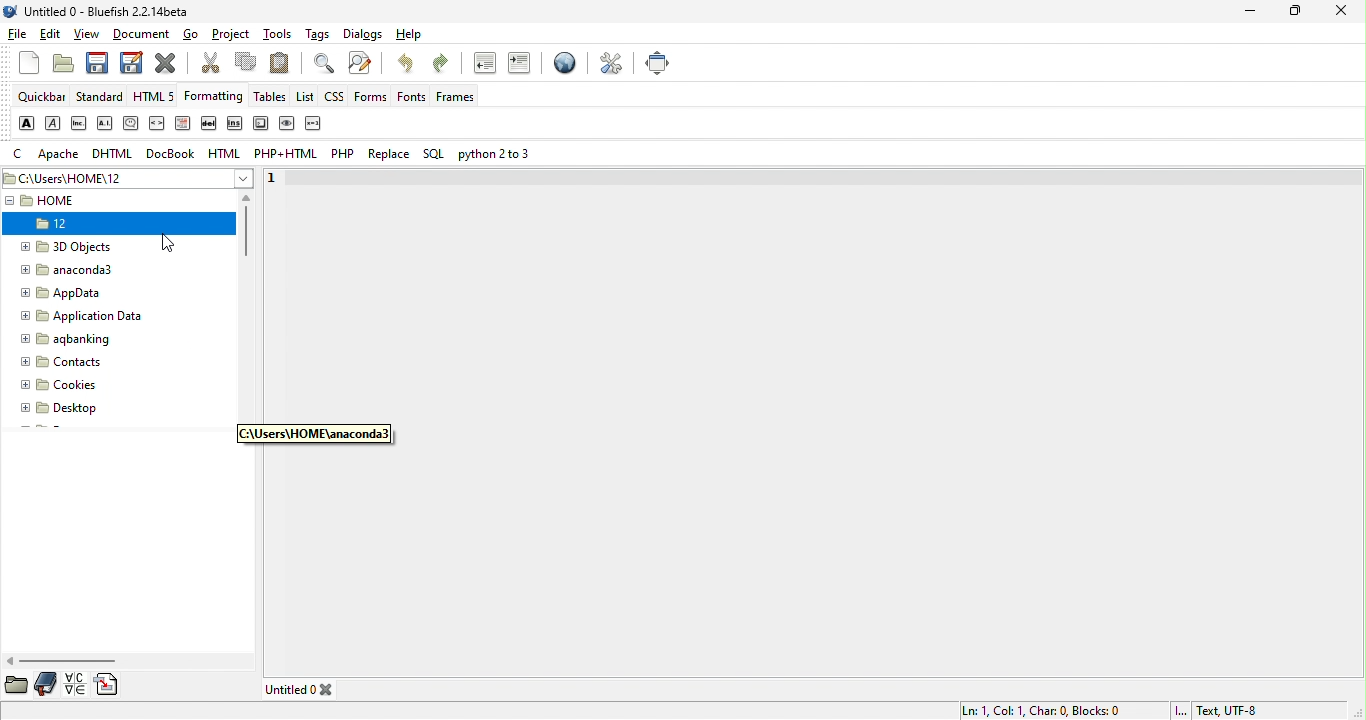 The height and width of the screenshot is (720, 1366). Describe the element at coordinates (344, 155) in the screenshot. I see `php` at that location.